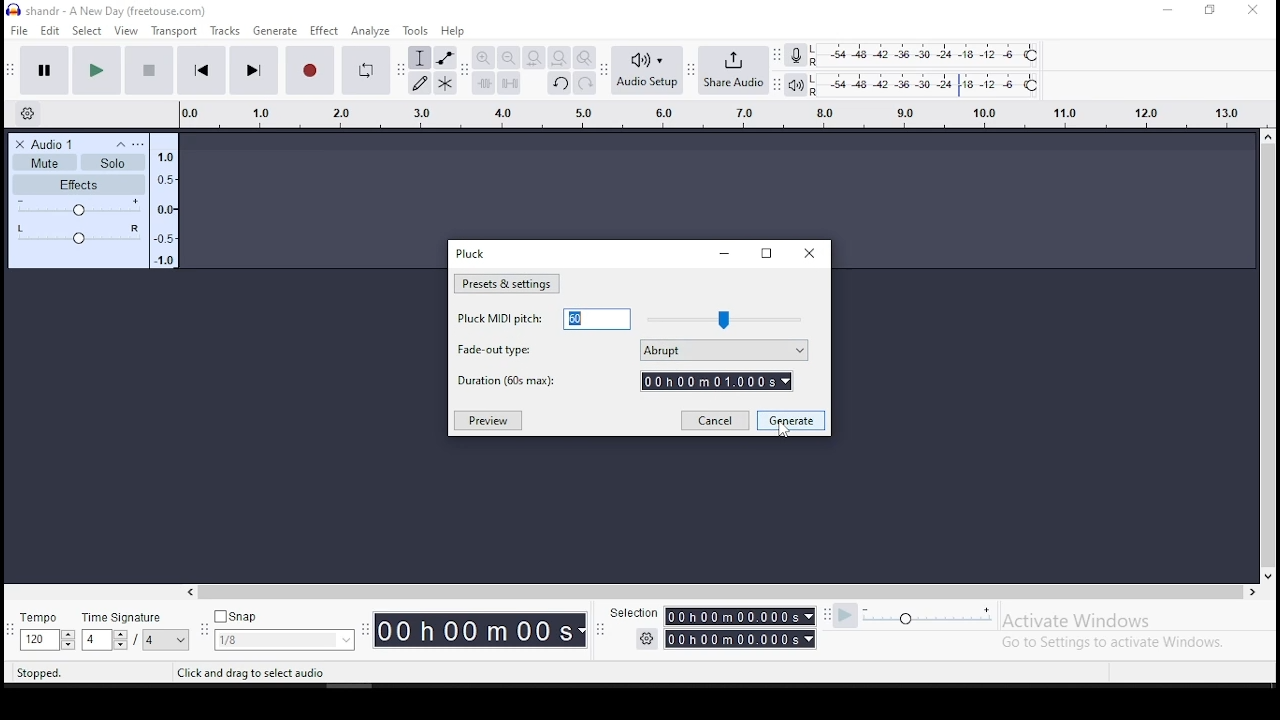 The image size is (1280, 720). I want to click on draw tool, so click(418, 82).